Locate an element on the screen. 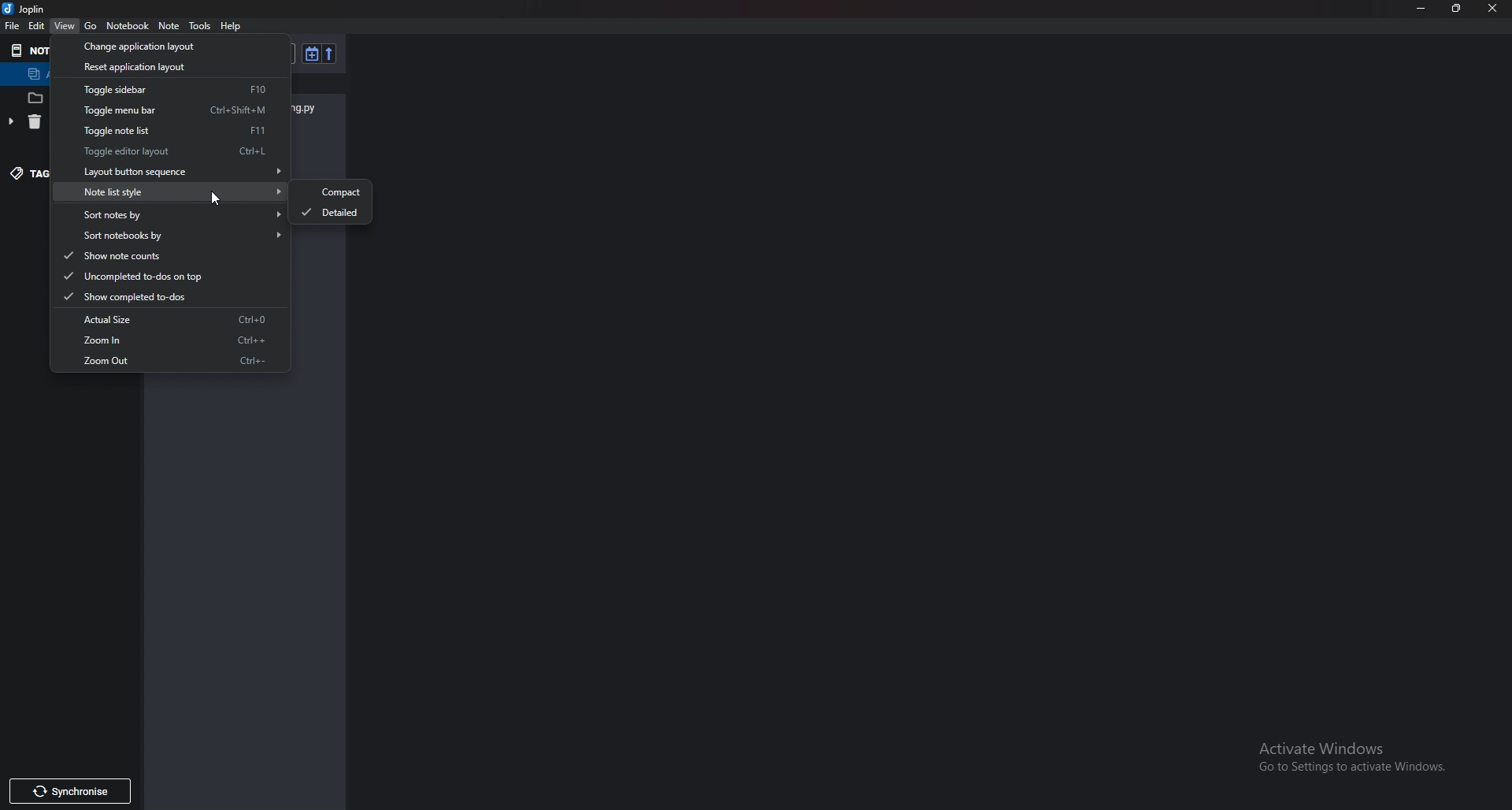 This screenshot has height=810, width=1512. Reset application layout is located at coordinates (162, 66).